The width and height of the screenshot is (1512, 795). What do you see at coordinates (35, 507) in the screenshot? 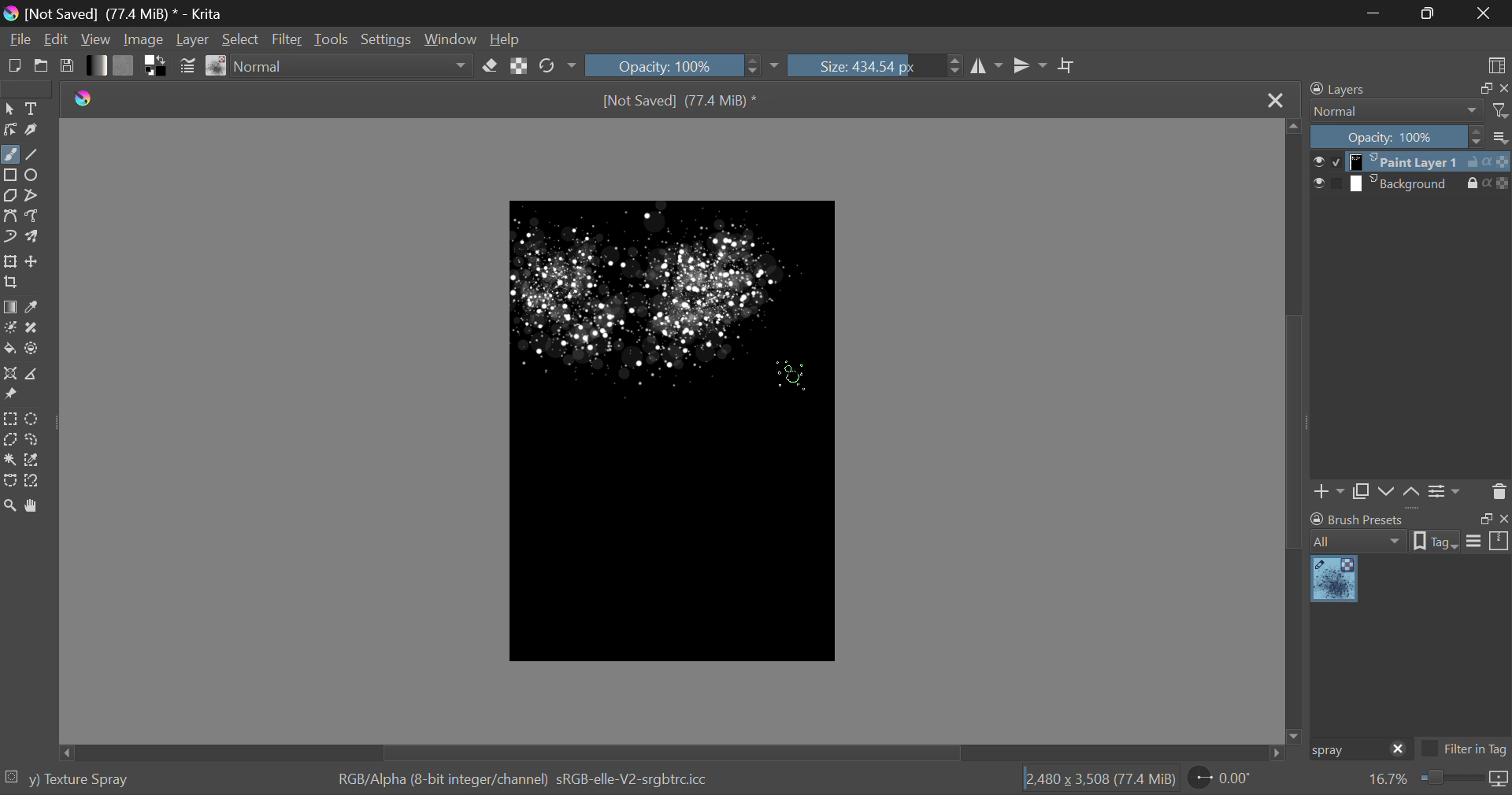
I see `Pan` at bounding box center [35, 507].